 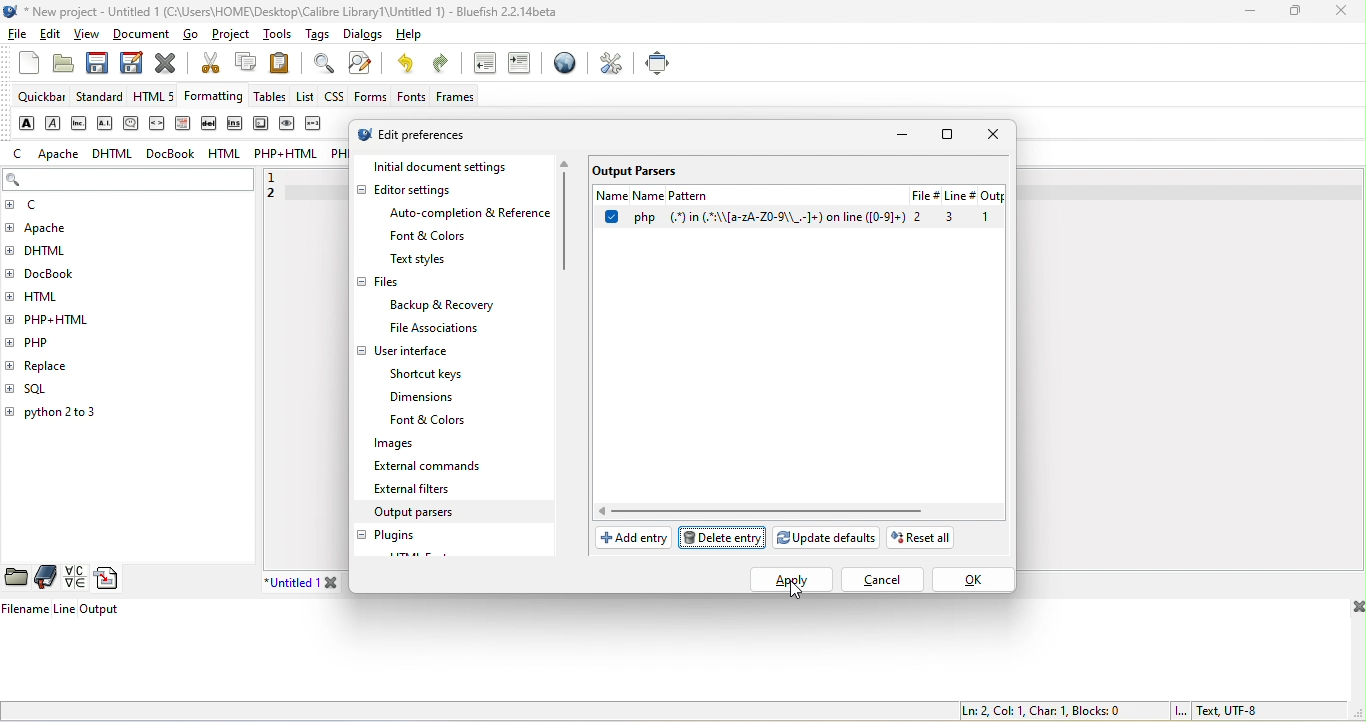 What do you see at coordinates (305, 96) in the screenshot?
I see `list` at bounding box center [305, 96].